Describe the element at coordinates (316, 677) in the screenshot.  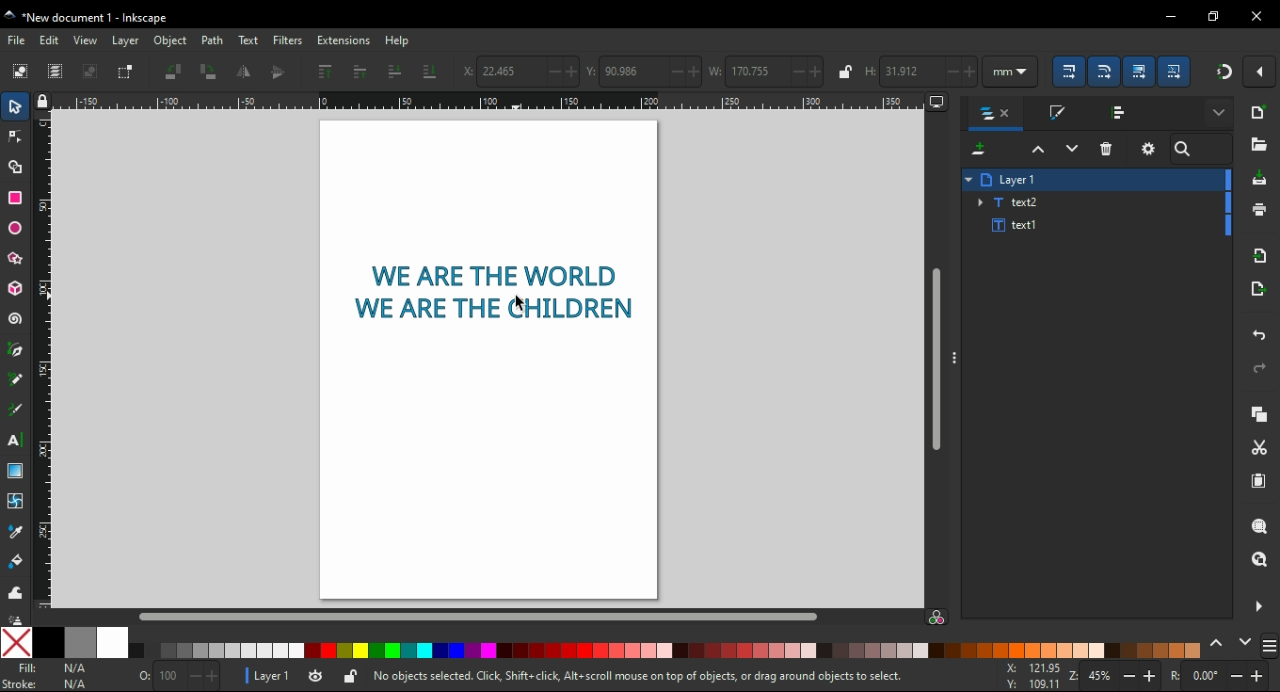
I see `layer visible` at that location.